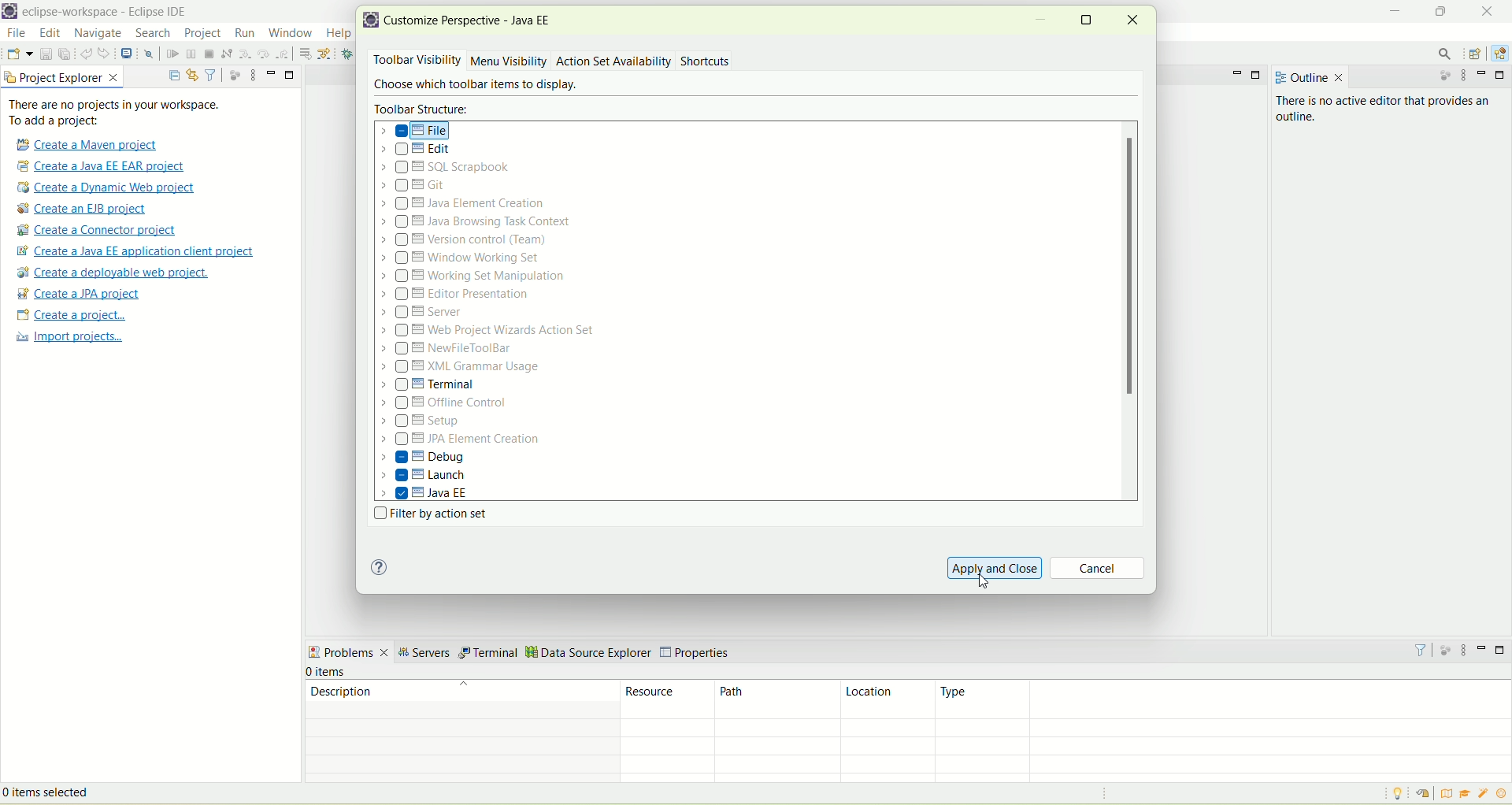 This screenshot has height=805, width=1512. What do you see at coordinates (290, 34) in the screenshot?
I see `window` at bounding box center [290, 34].